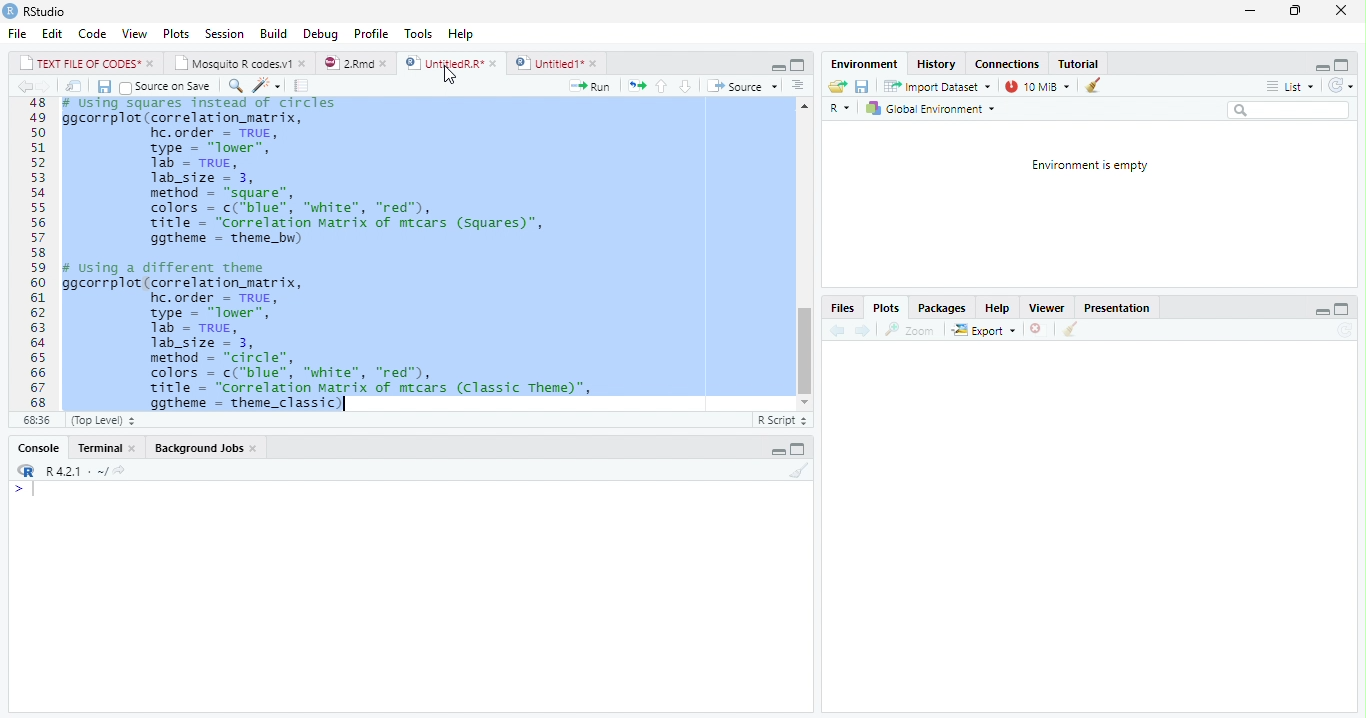 The image size is (1366, 718). What do you see at coordinates (244, 64) in the screenshot?
I see `Mosautto & cosesy` at bounding box center [244, 64].